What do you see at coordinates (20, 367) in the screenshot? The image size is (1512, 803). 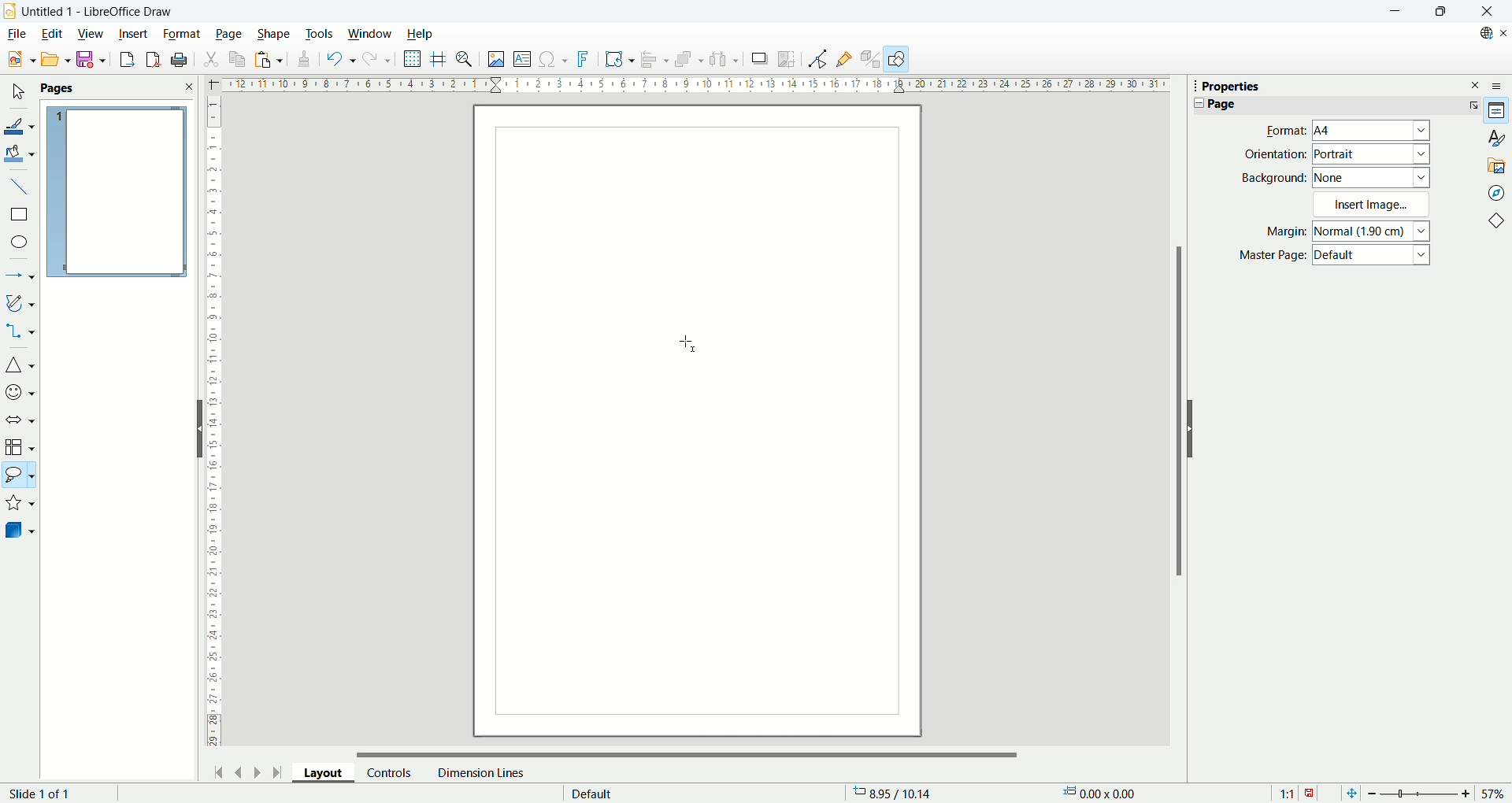 I see `basic shapes` at bounding box center [20, 367].